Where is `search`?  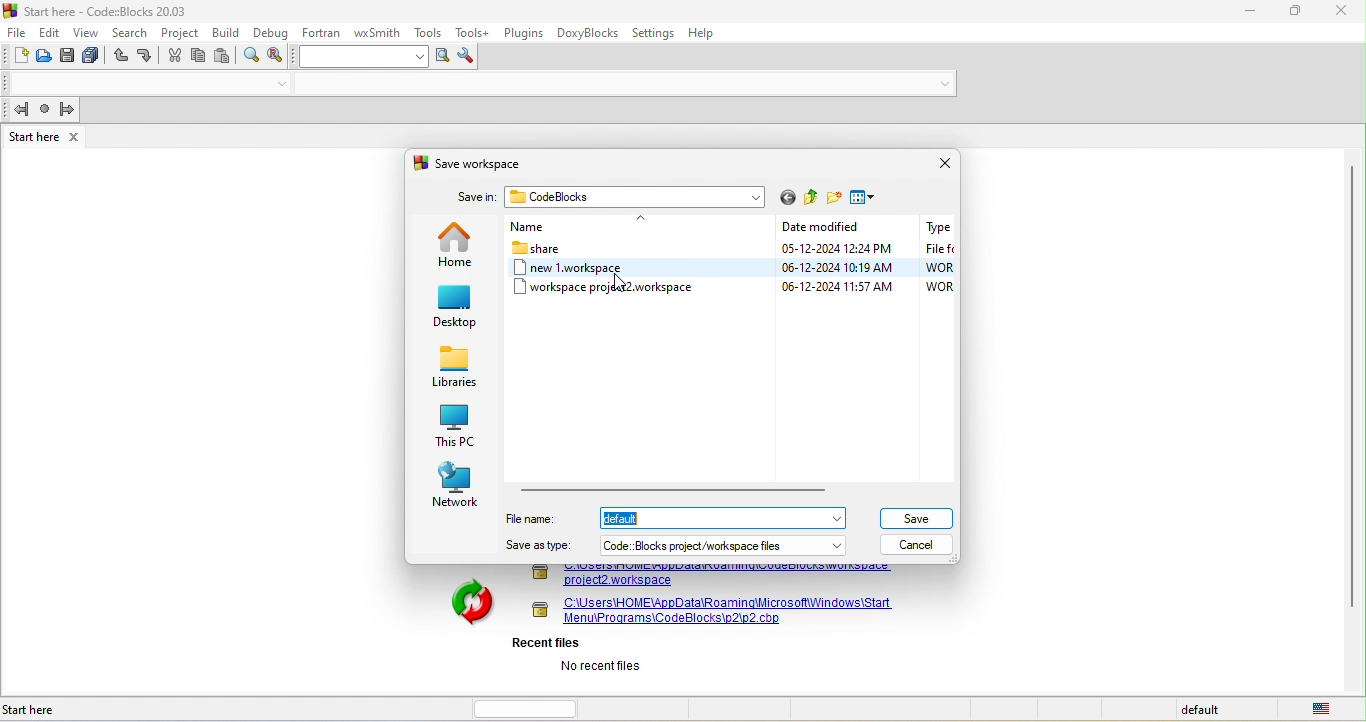 search is located at coordinates (133, 32).